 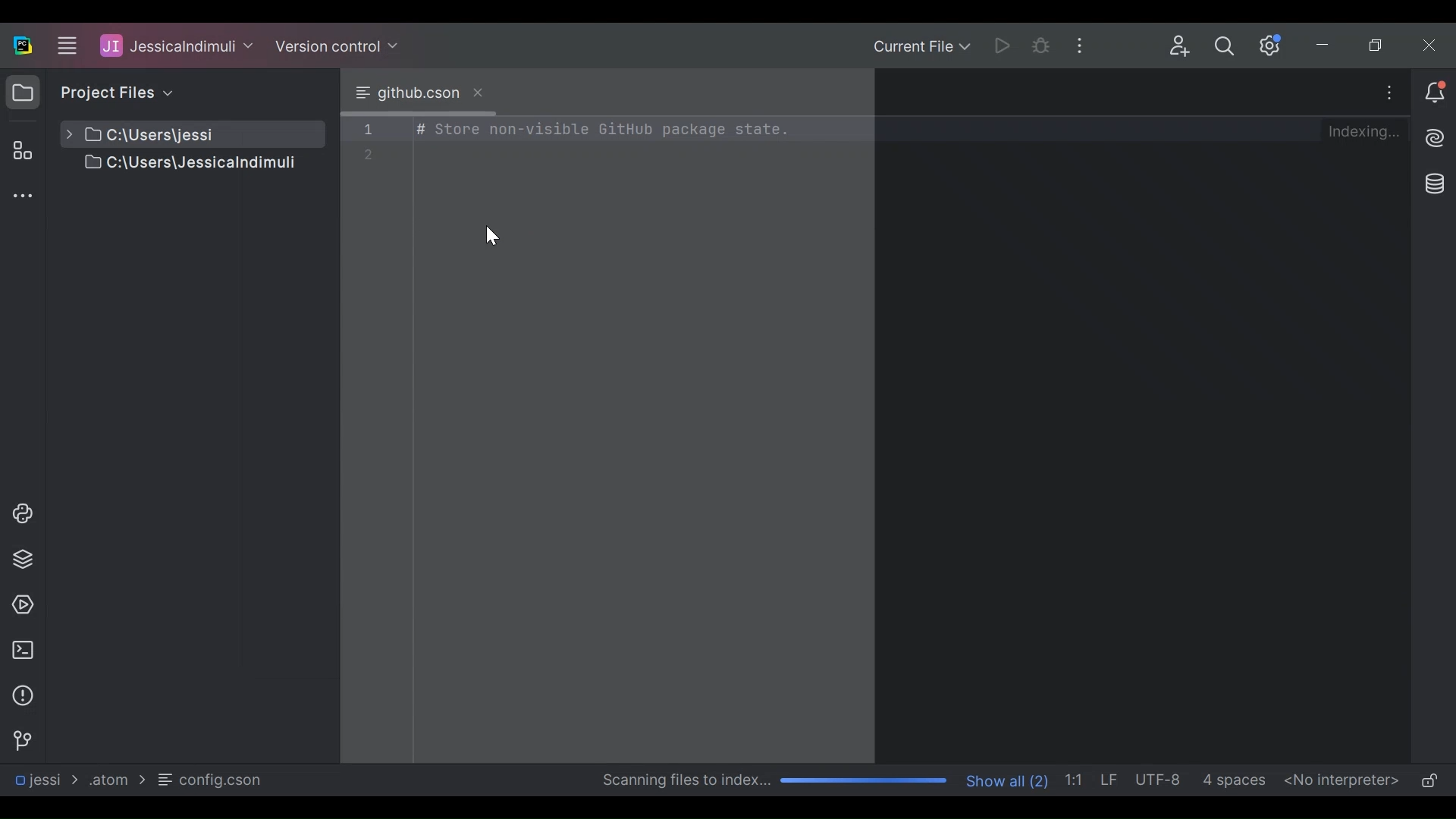 I want to click on Restore, so click(x=1379, y=45).